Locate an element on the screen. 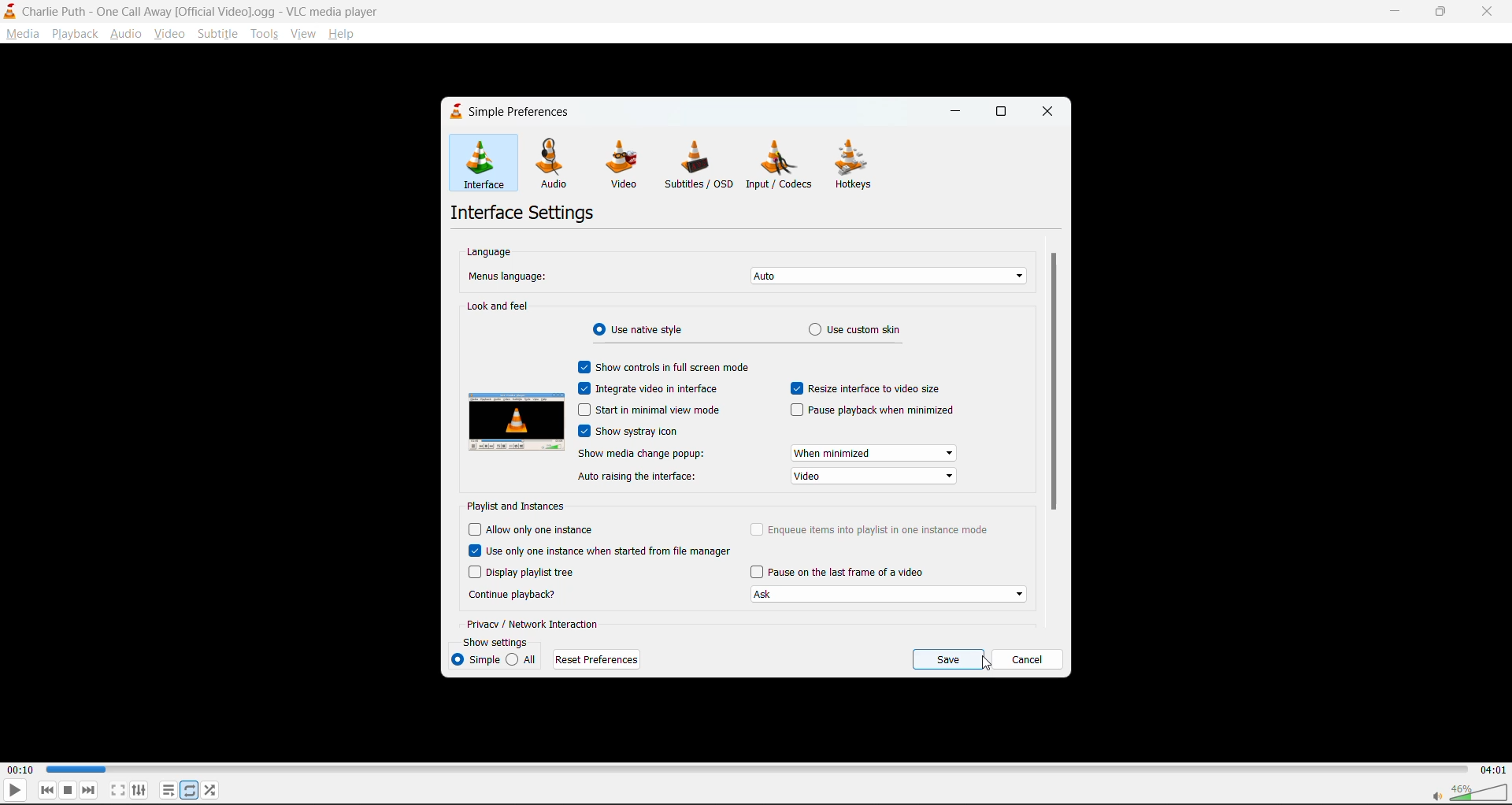  simple  is located at coordinates (476, 658).